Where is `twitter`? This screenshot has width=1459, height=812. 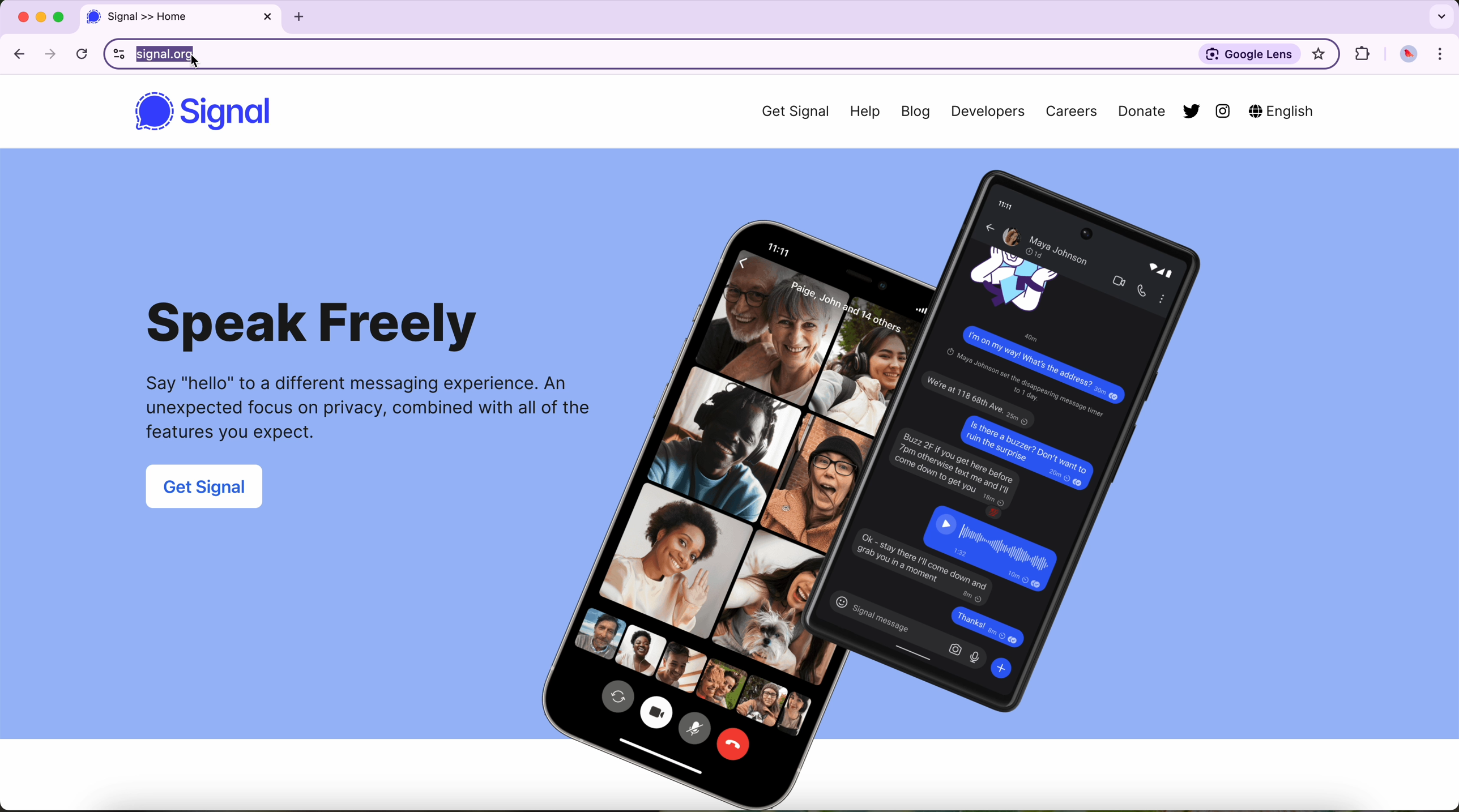
twitter is located at coordinates (1189, 110).